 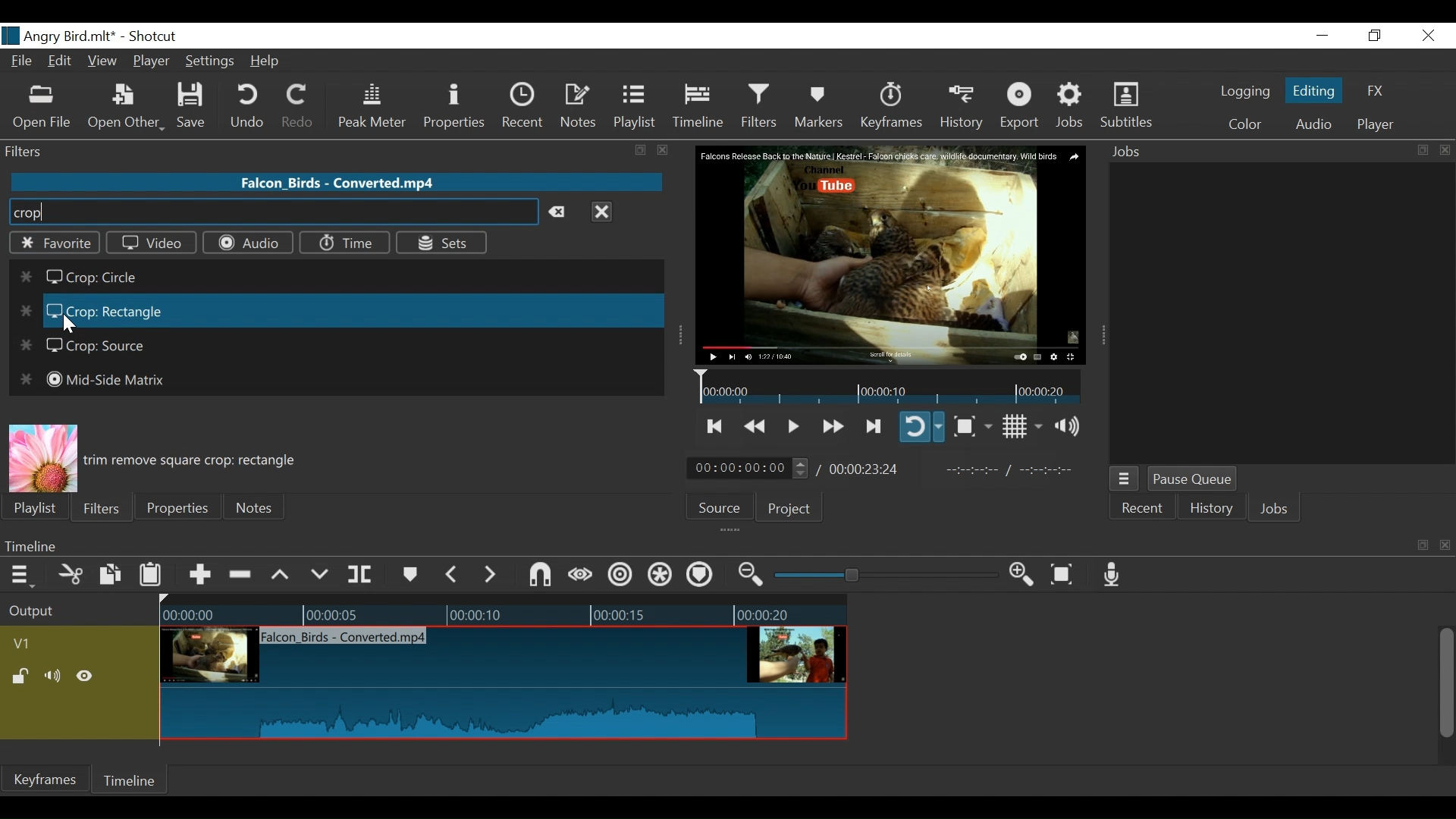 What do you see at coordinates (601, 211) in the screenshot?
I see `Close menu` at bounding box center [601, 211].